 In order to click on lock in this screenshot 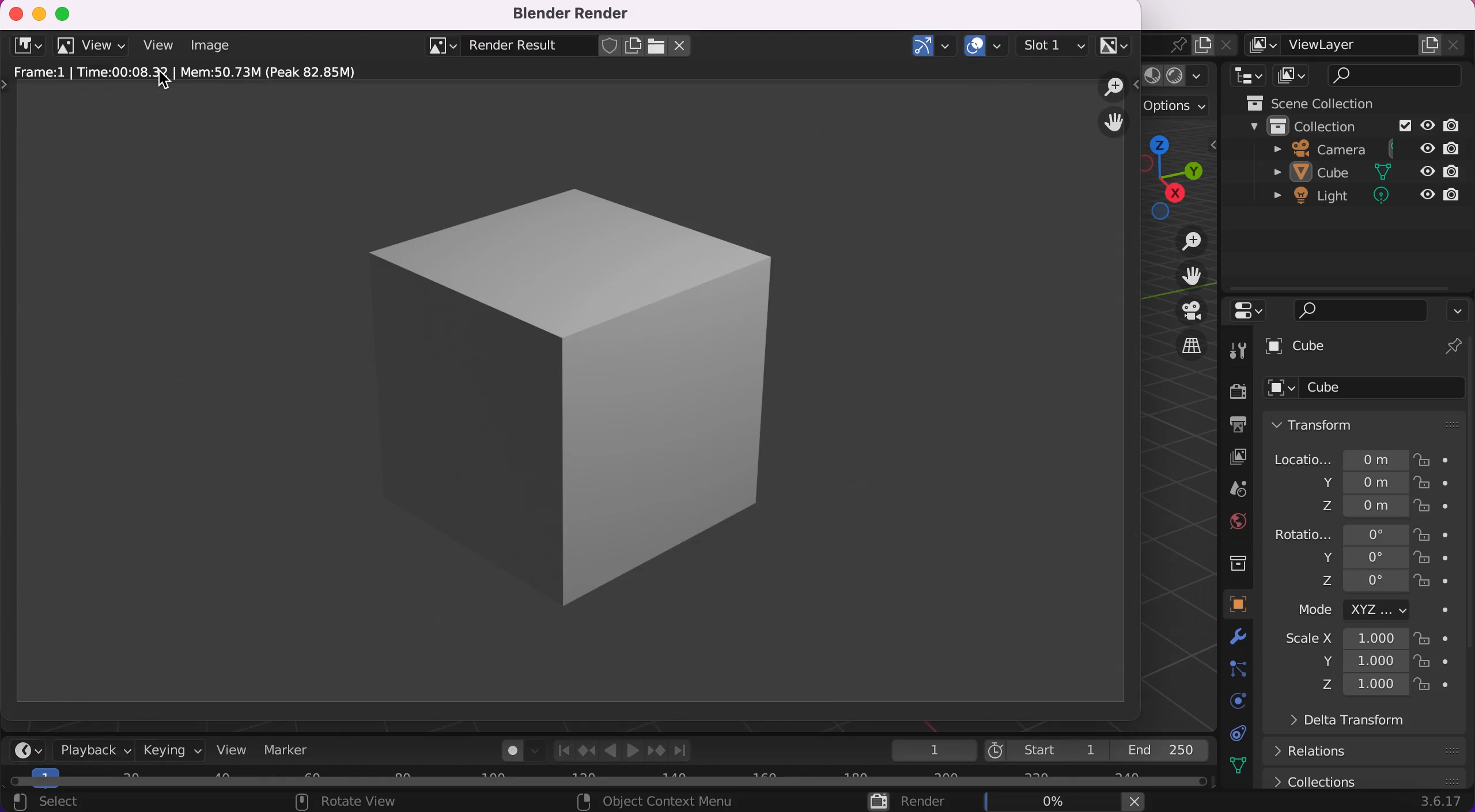, I will do `click(1436, 557)`.